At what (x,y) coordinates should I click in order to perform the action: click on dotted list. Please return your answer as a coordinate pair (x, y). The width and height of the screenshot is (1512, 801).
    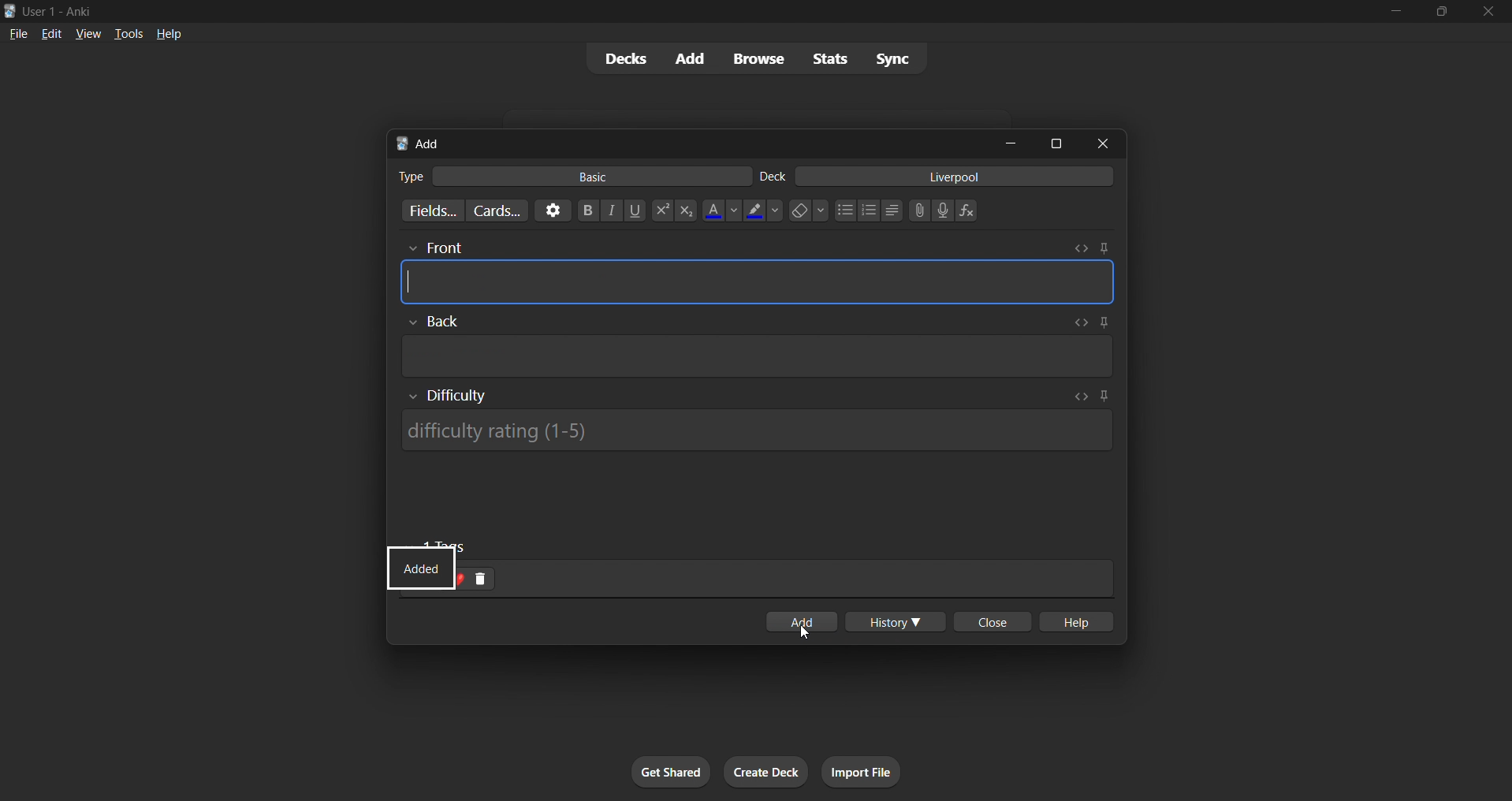
    Looking at the image, I should click on (844, 212).